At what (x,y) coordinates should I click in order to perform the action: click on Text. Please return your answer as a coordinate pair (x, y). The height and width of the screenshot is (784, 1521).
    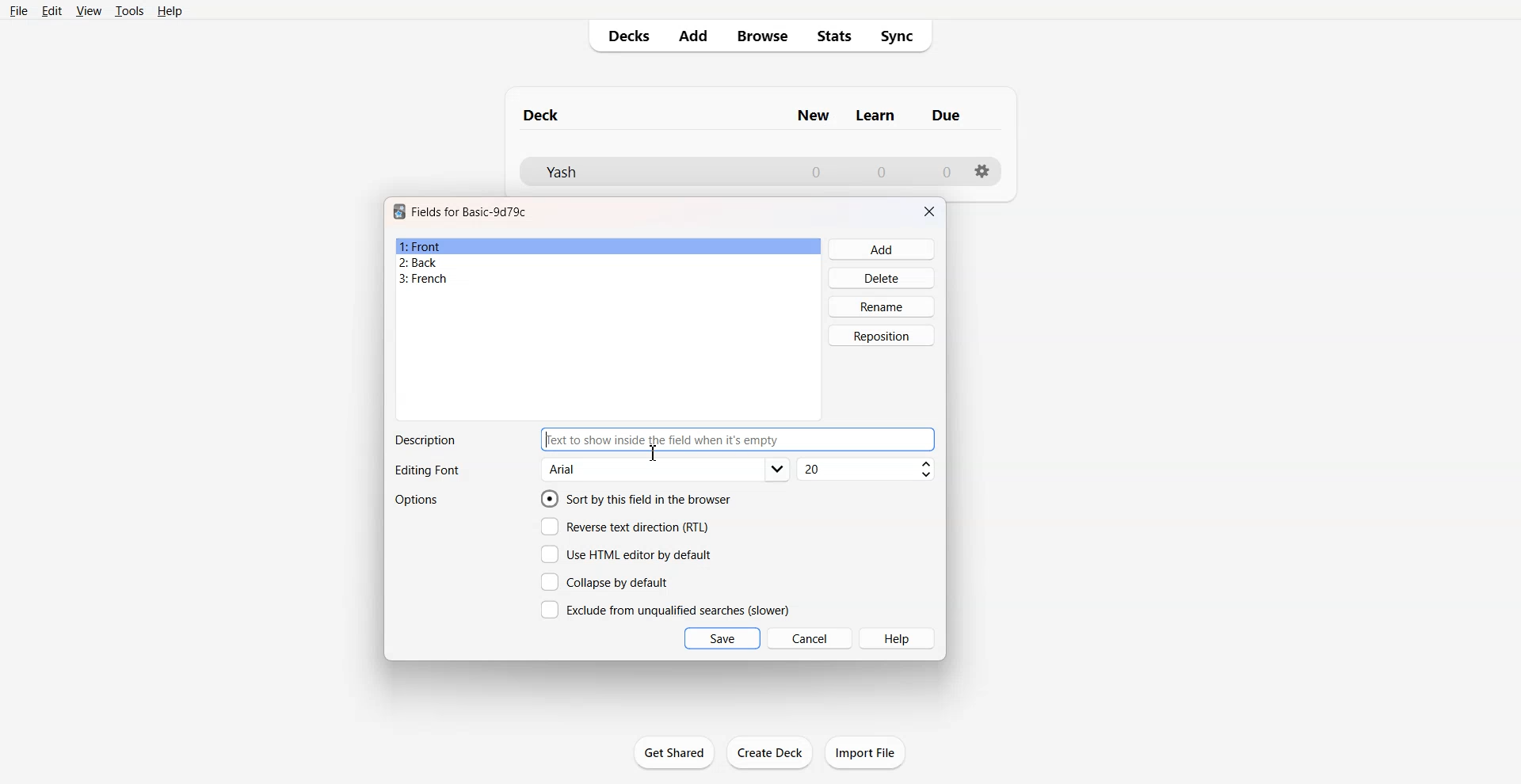
    Looking at the image, I should click on (426, 471).